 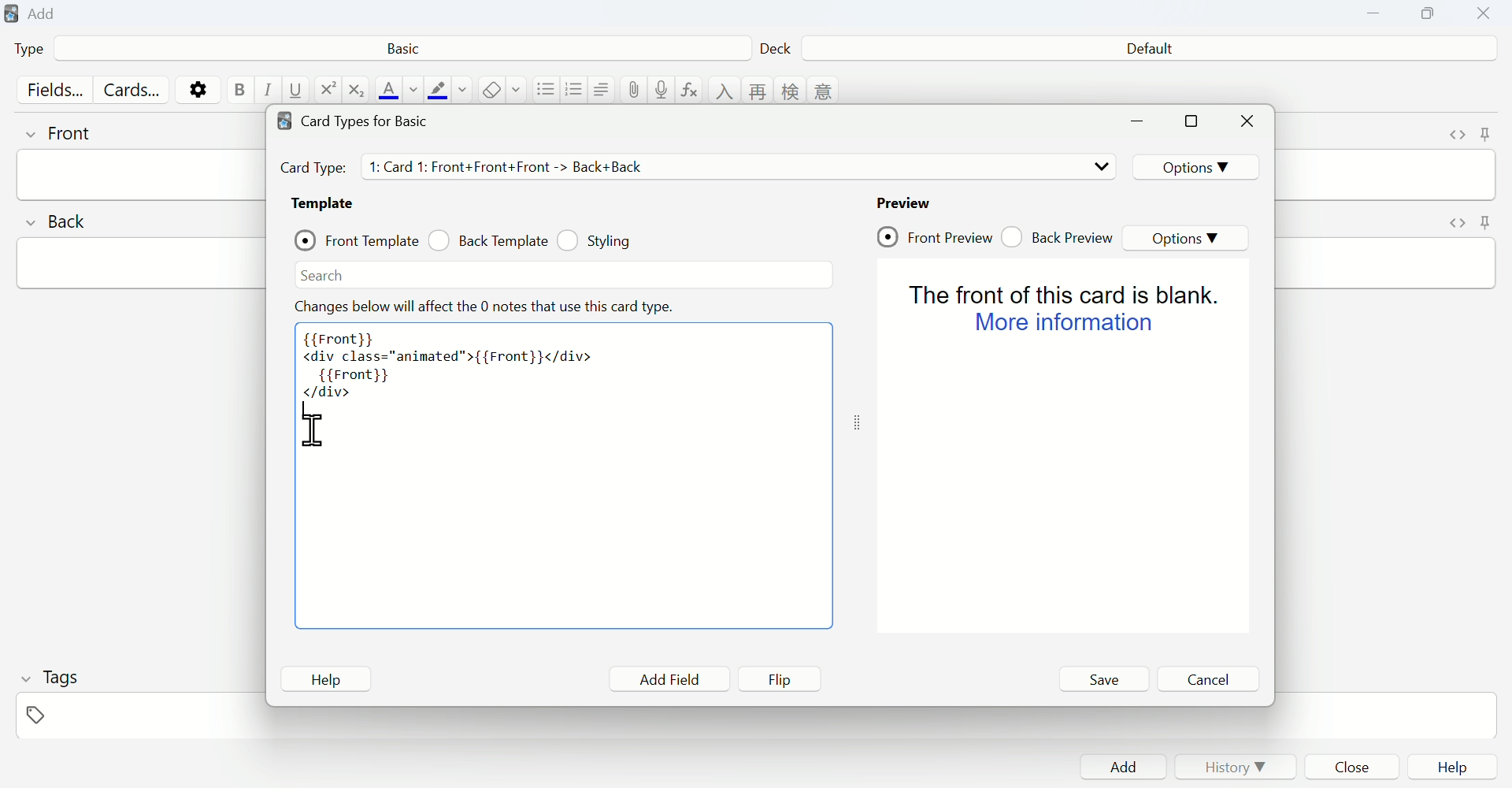 I want to click on Front Preview, so click(x=935, y=237).